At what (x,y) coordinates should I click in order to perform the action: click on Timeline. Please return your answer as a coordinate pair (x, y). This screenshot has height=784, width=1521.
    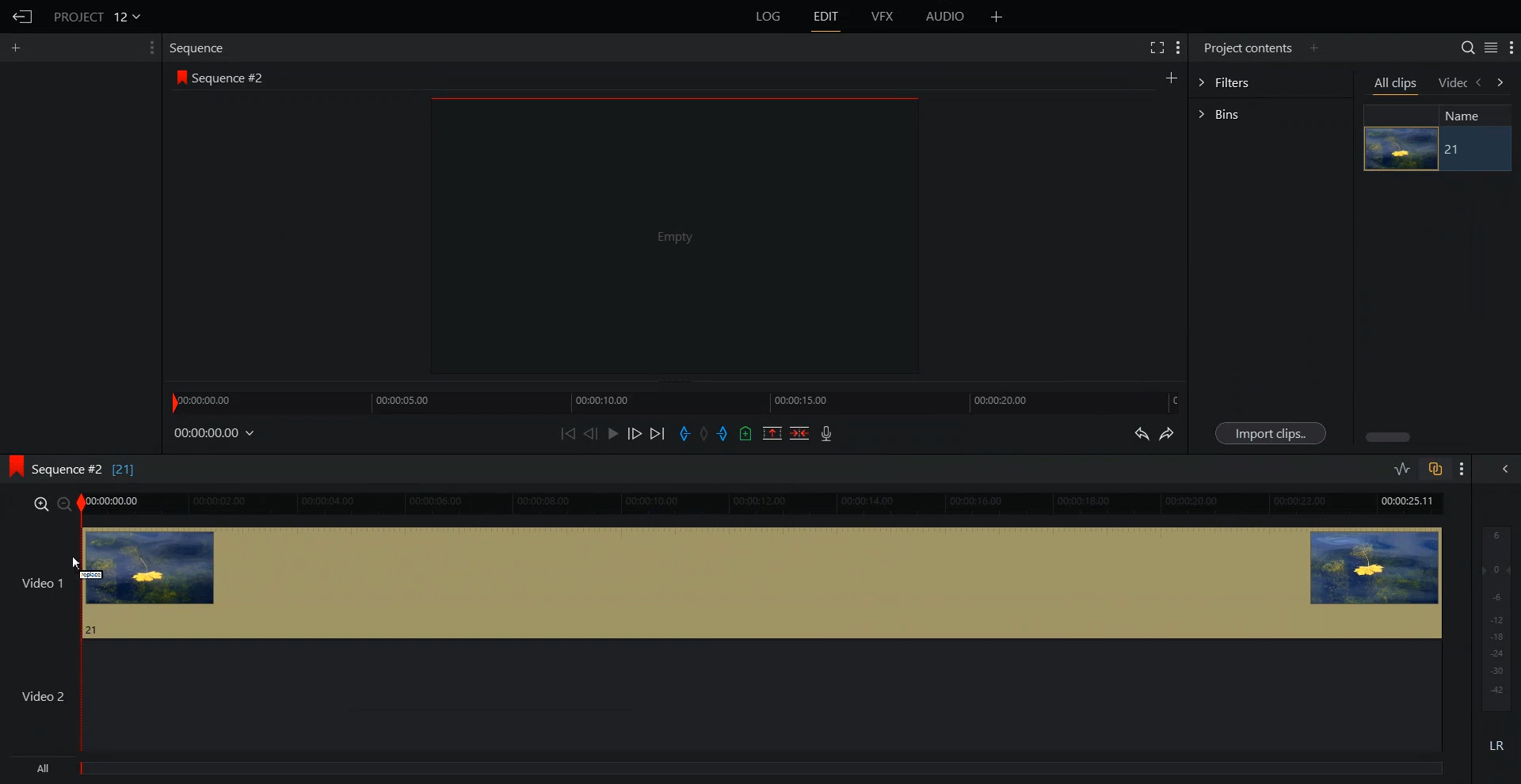
    Looking at the image, I should click on (761, 504).